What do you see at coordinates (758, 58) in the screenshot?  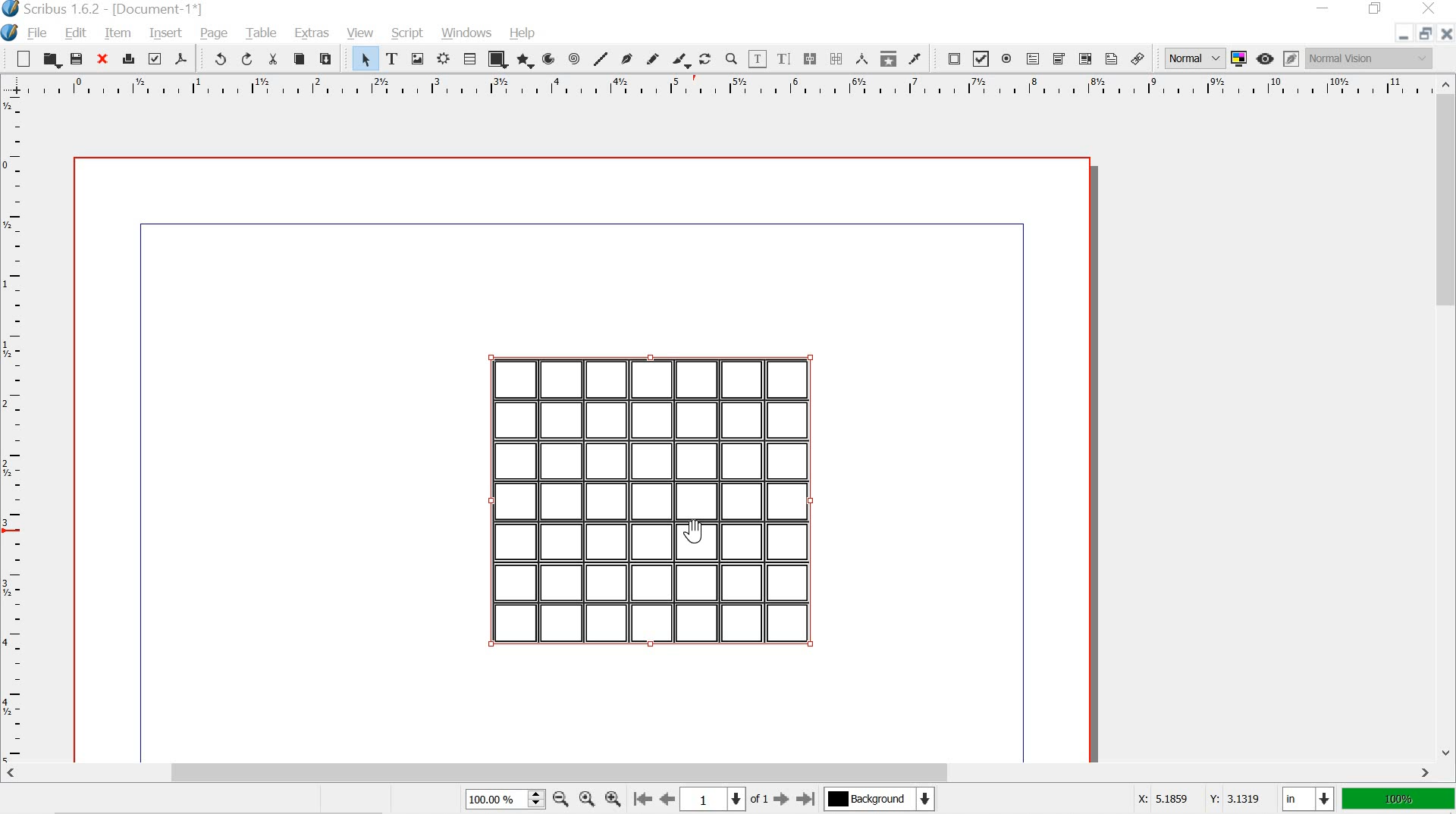 I see `edit contents of frame` at bounding box center [758, 58].